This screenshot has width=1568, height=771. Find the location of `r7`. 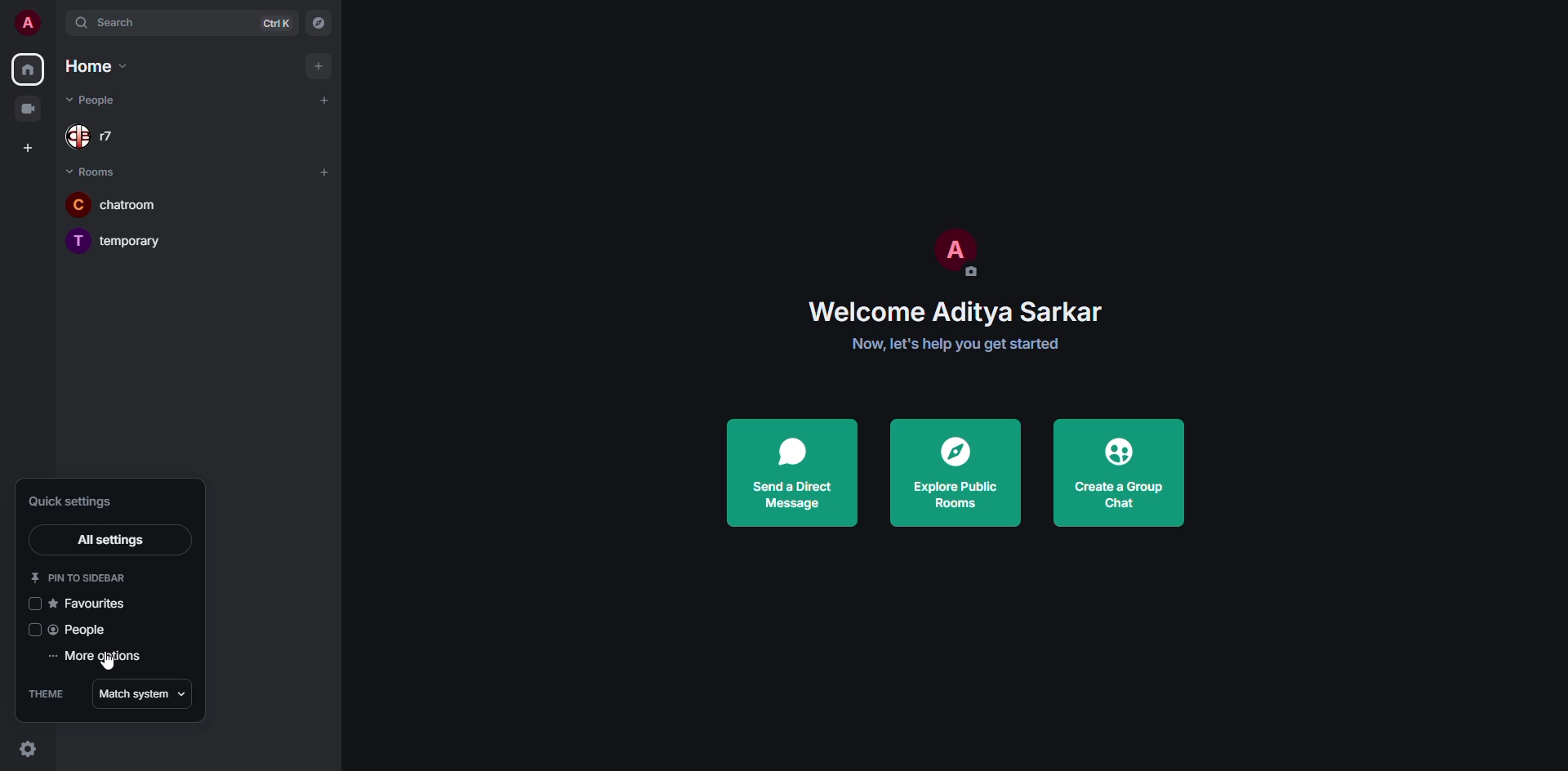

r7 is located at coordinates (93, 136).